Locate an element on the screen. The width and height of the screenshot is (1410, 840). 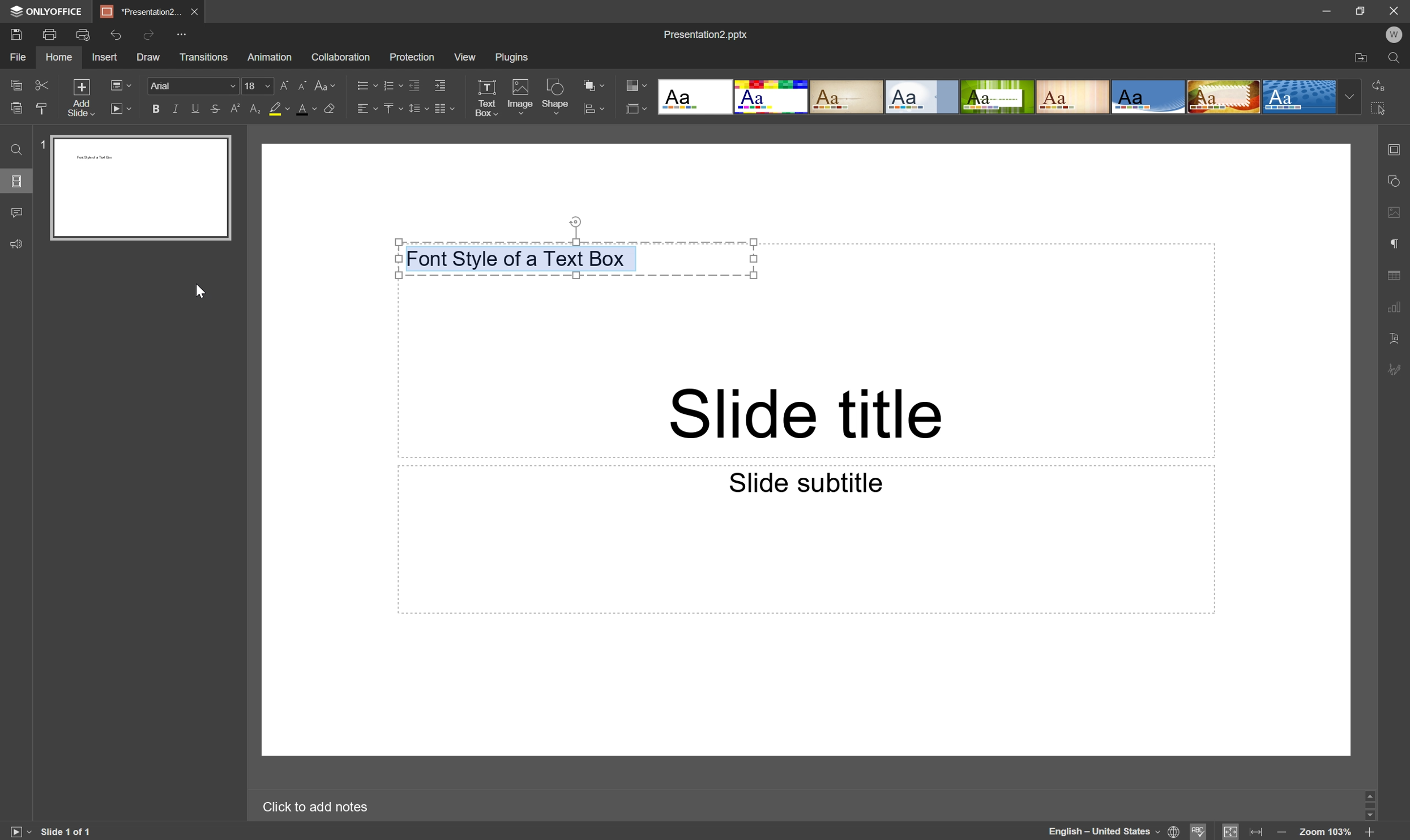
Restore Down is located at coordinates (1364, 8).